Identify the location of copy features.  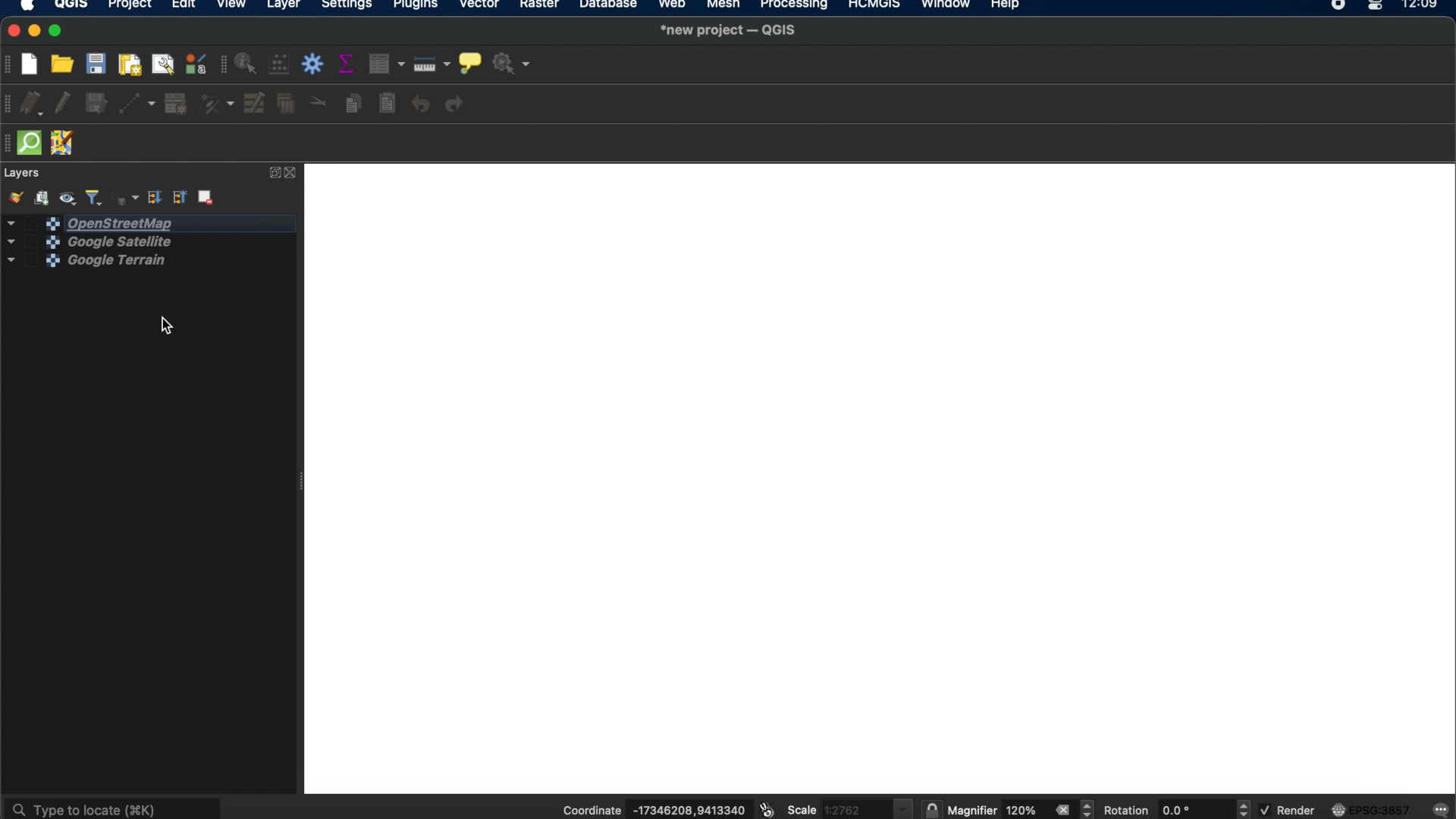
(353, 103).